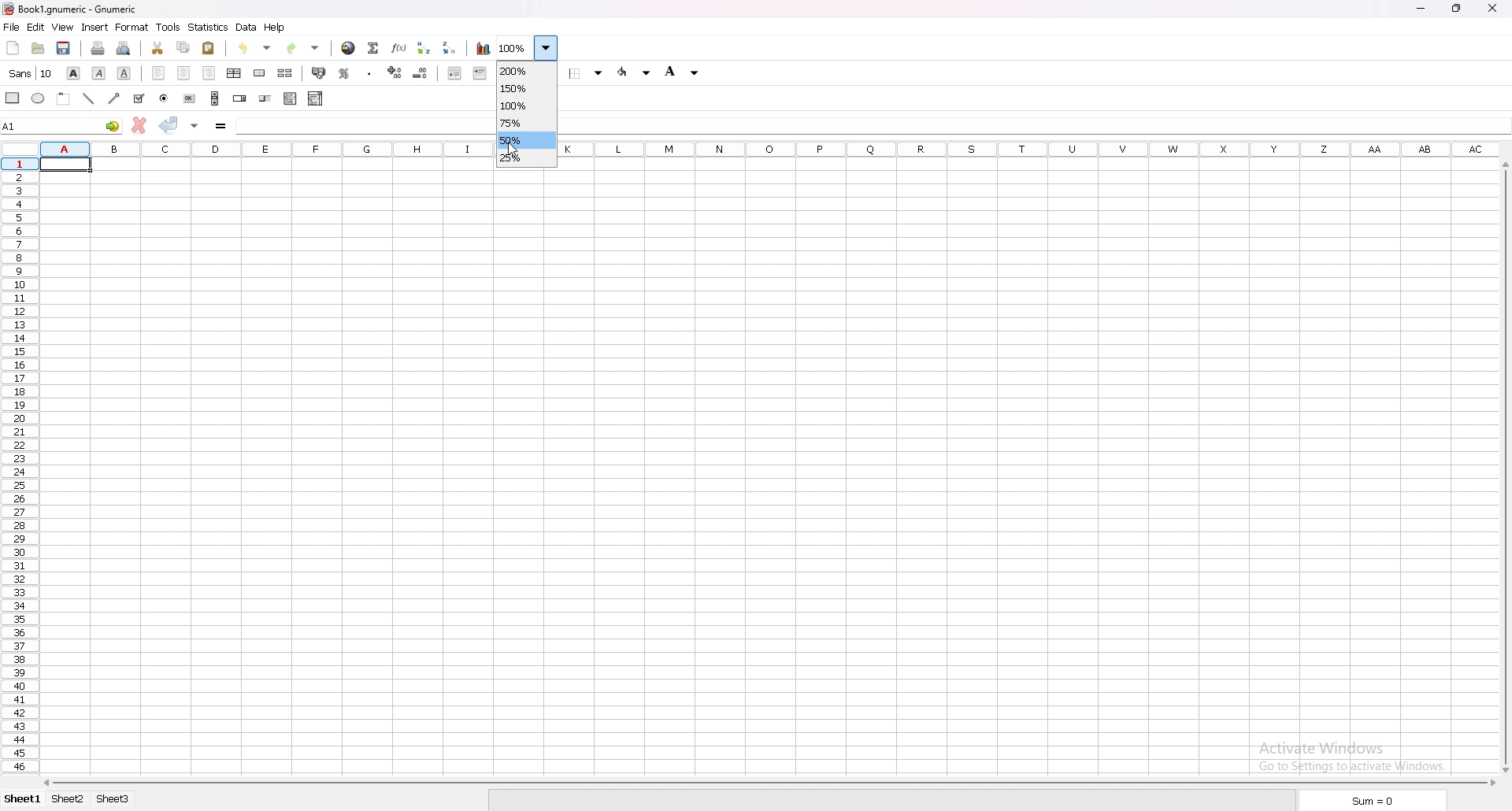 Image resolution: width=1512 pixels, height=811 pixels. Describe the element at coordinates (455, 74) in the screenshot. I see `decrease indent` at that location.